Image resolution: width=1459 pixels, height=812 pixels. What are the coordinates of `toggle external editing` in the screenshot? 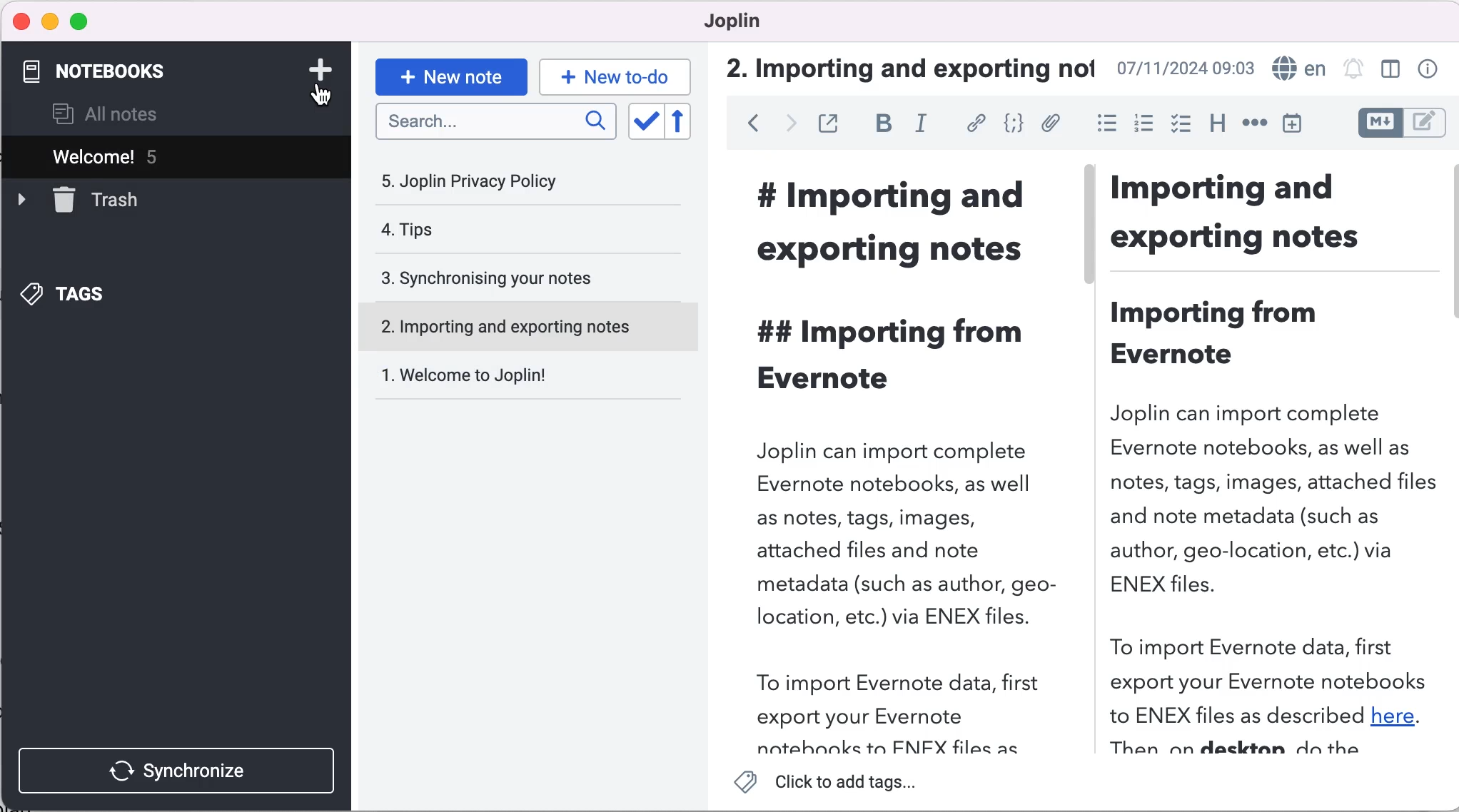 It's located at (830, 125).